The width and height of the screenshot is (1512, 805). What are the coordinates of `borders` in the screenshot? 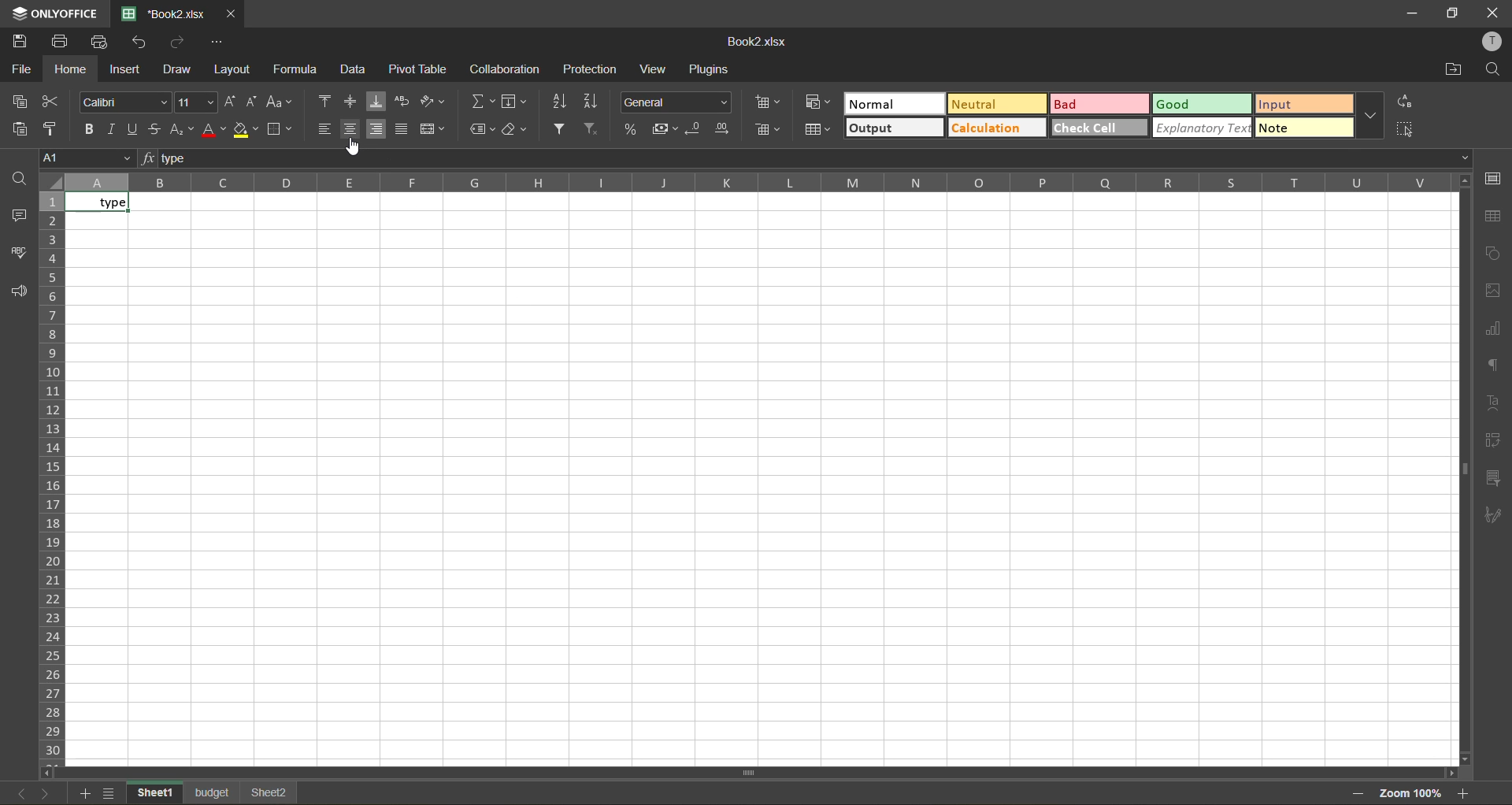 It's located at (280, 132).